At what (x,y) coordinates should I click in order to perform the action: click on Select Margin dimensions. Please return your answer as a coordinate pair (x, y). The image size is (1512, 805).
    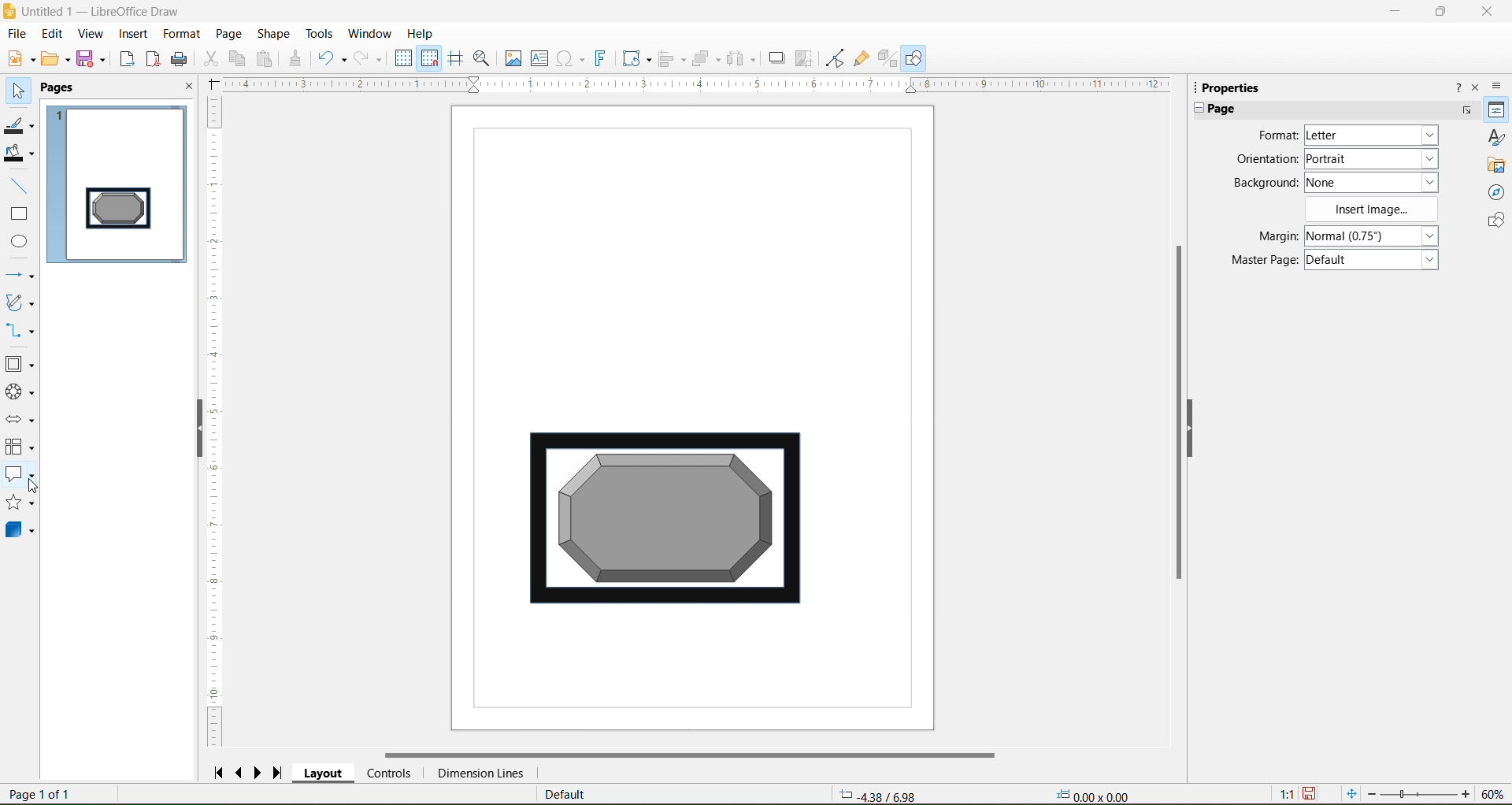
    Looking at the image, I should click on (1370, 236).